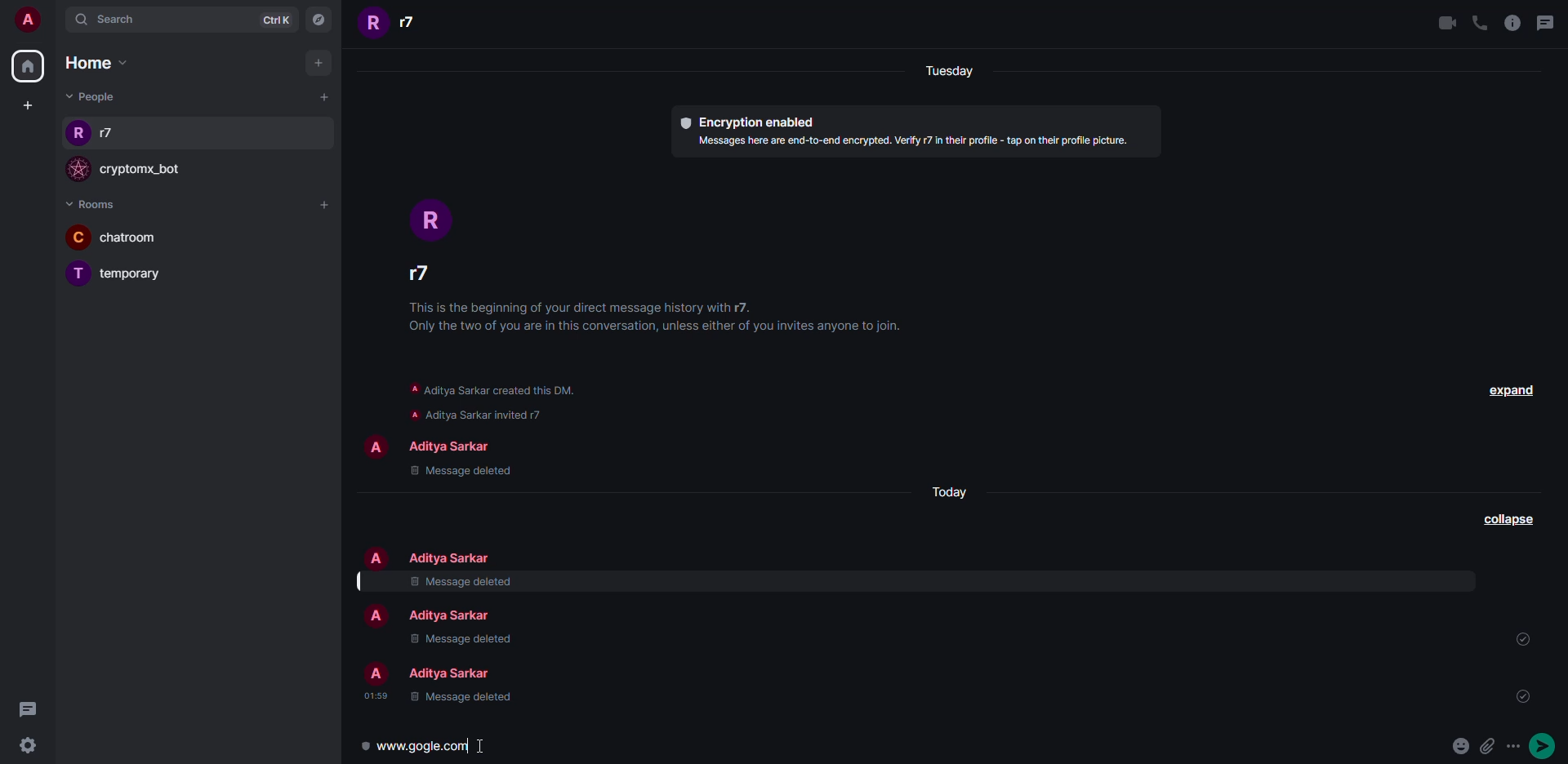  Describe the element at coordinates (318, 63) in the screenshot. I see `add` at that location.